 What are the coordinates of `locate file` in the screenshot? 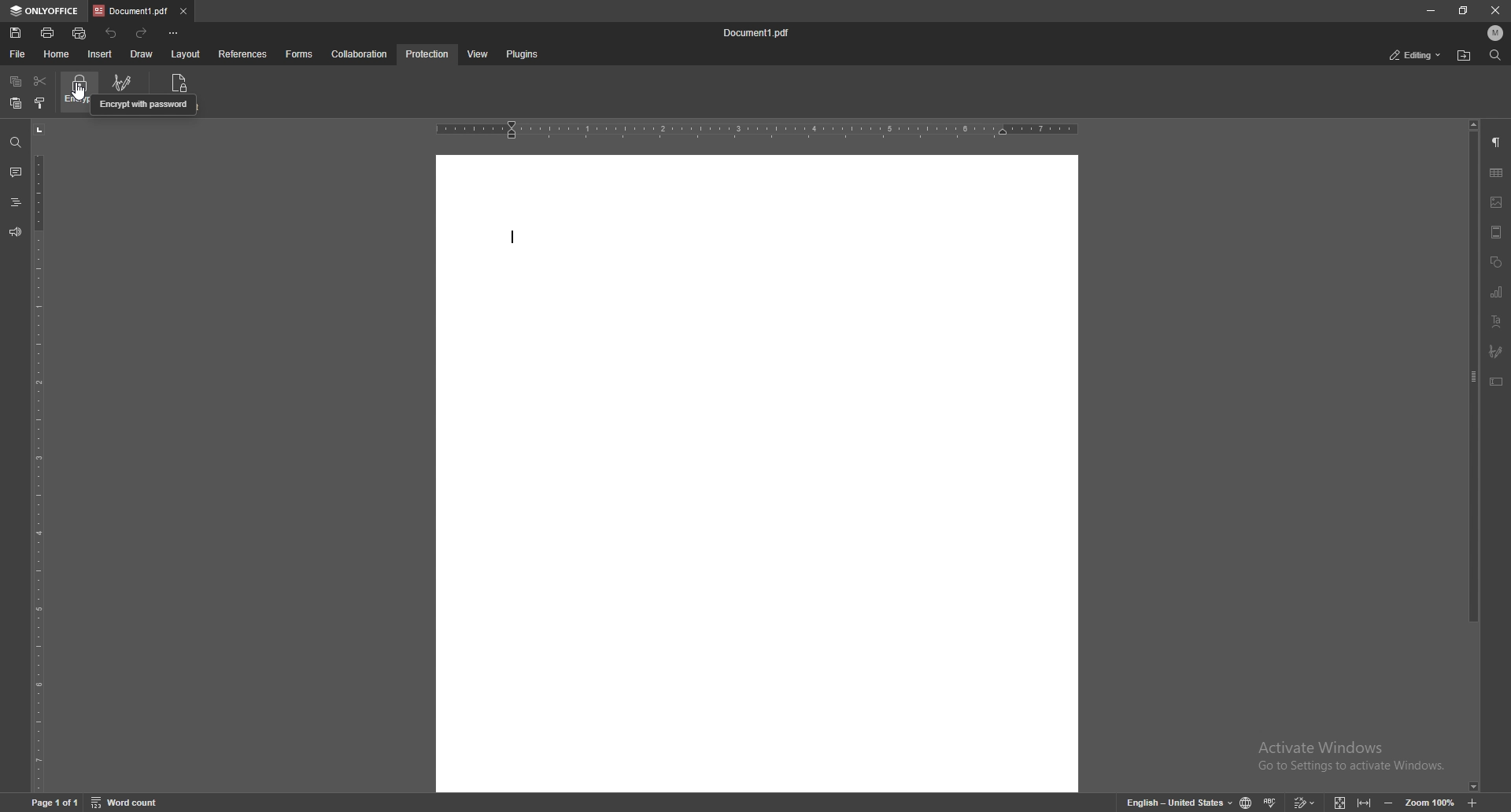 It's located at (1465, 55).